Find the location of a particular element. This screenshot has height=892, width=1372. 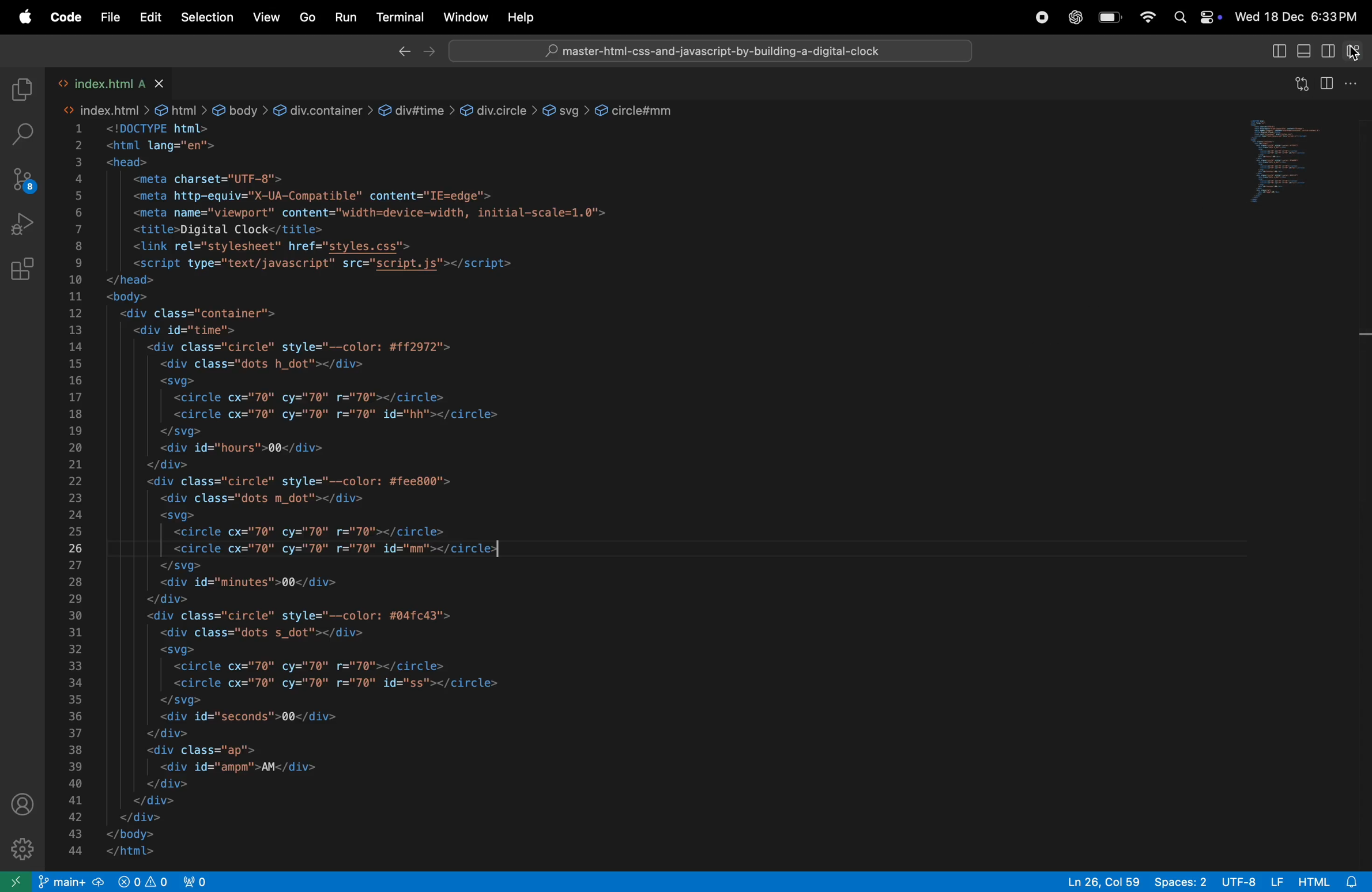

apple menu is located at coordinates (19, 17).